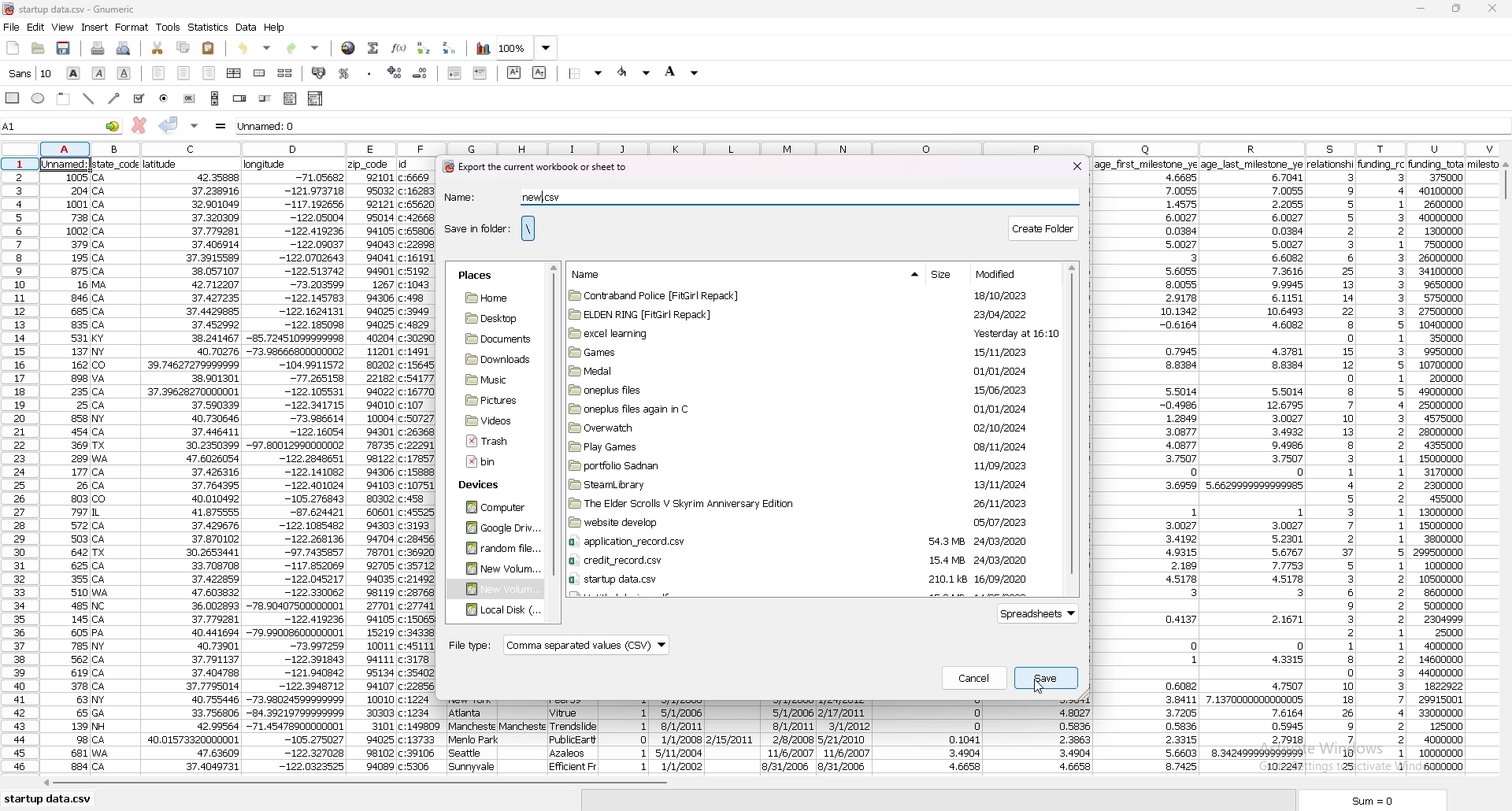  Describe the element at coordinates (498, 568) in the screenshot. I see `folder` at that location.